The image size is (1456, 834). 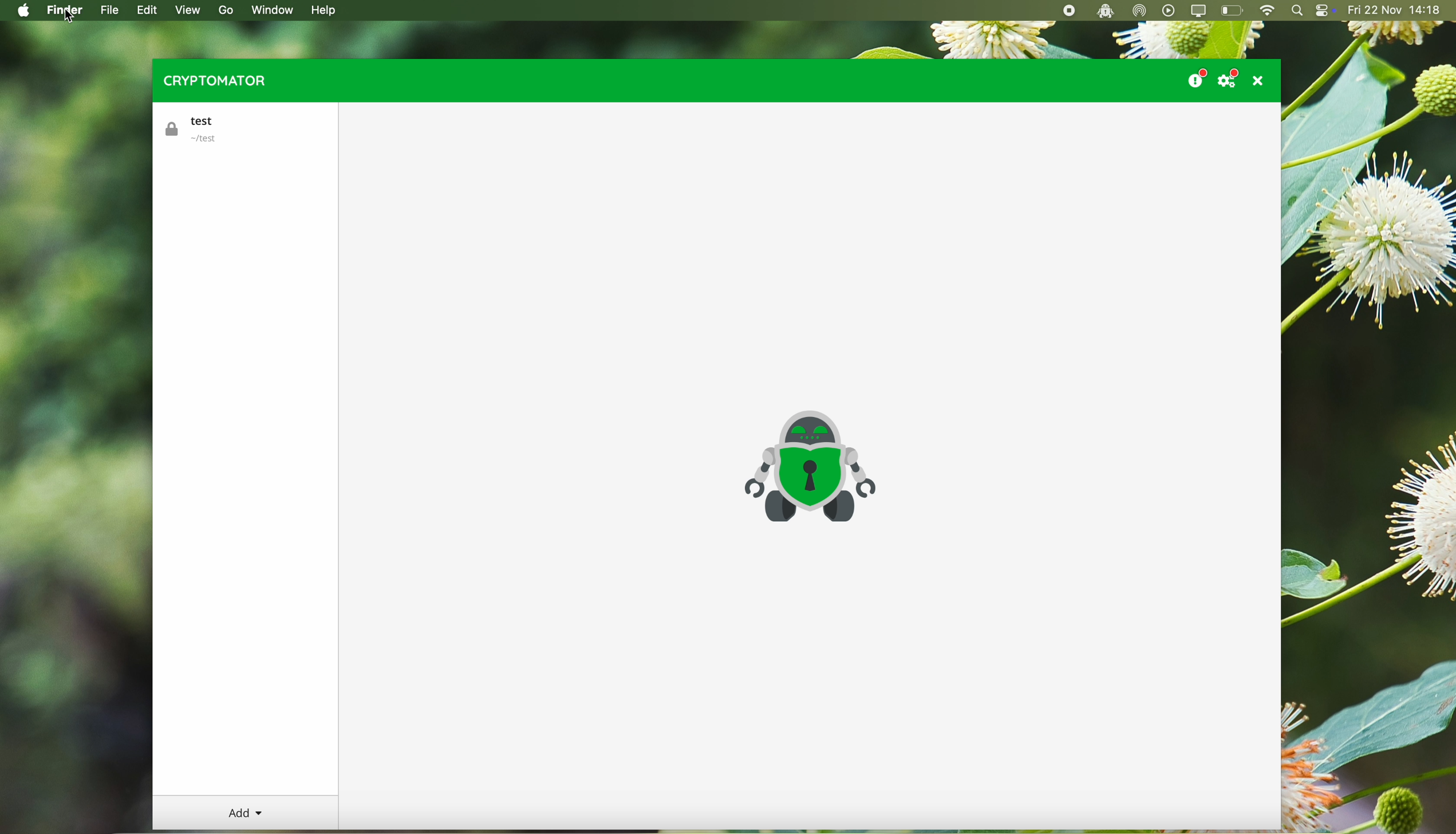 I want to click on test vault, so click(x=200, y=130).